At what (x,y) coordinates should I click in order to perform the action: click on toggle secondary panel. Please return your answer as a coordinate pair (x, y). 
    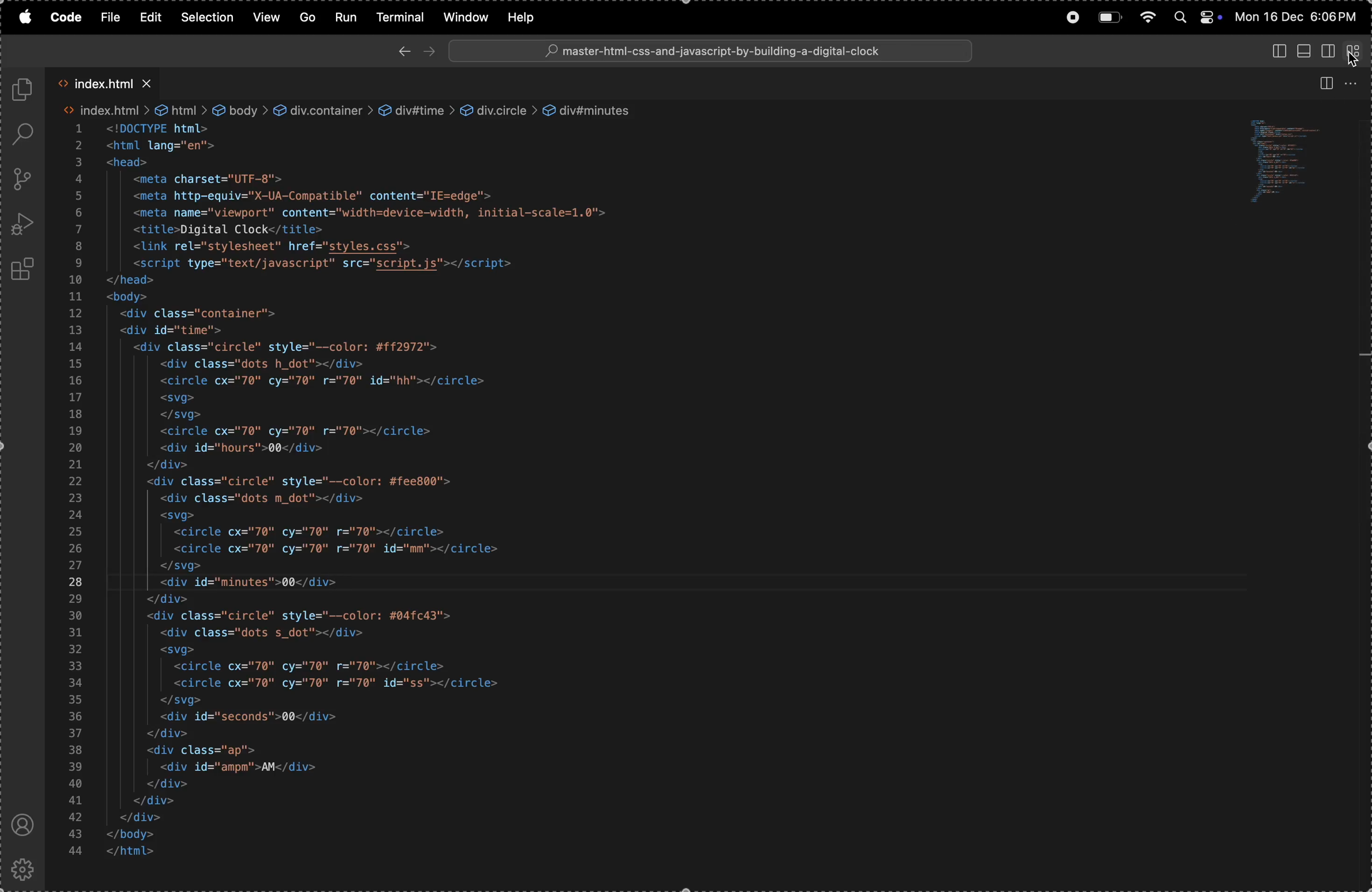
    Looking at the image, I should click on (1329, 51).